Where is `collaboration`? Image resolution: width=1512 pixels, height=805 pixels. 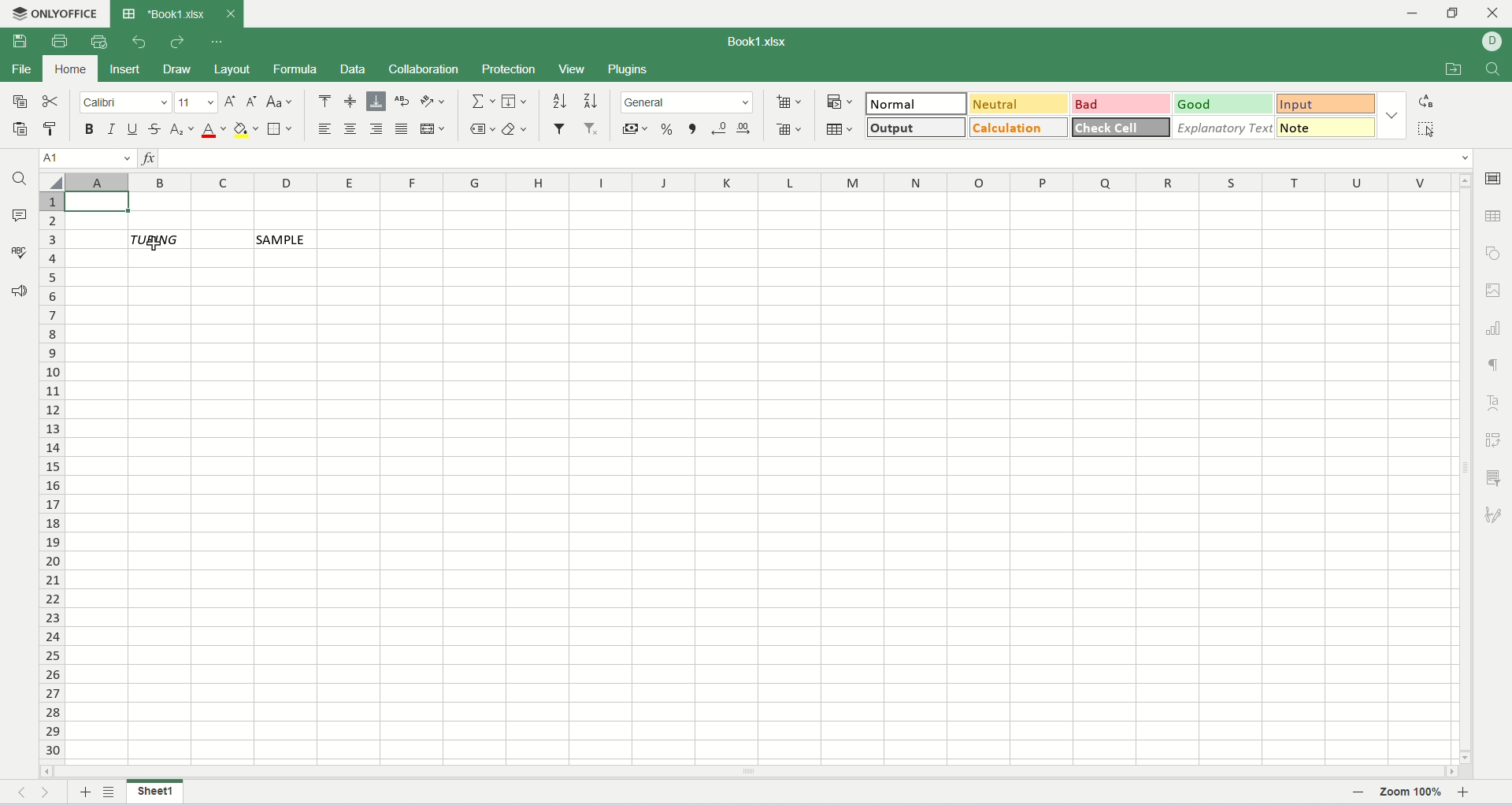 collaboration is located at coordinates (428, 71).